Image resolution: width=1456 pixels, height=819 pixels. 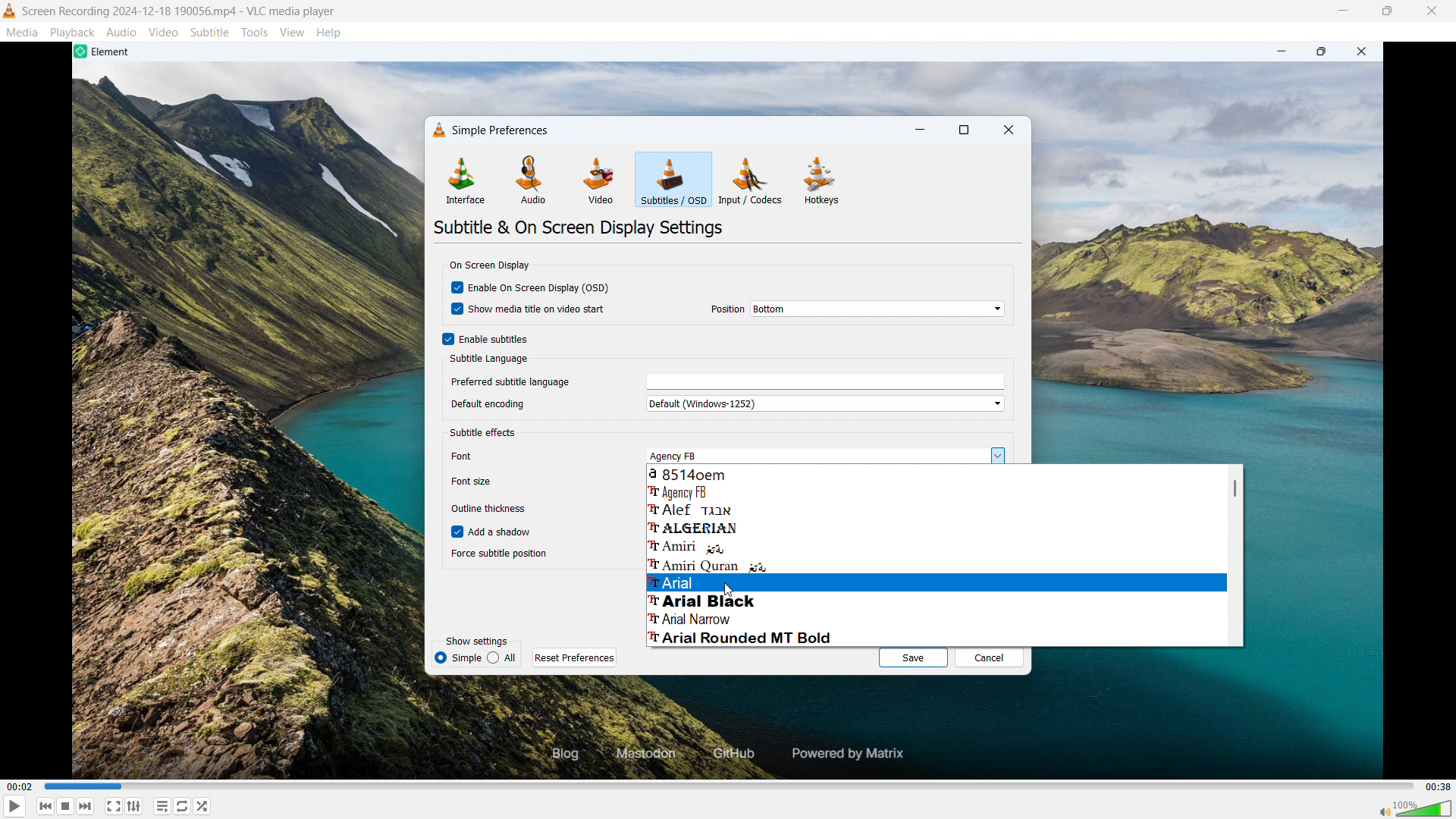 I want to click on 8514oem, so click(x=935, y=473).